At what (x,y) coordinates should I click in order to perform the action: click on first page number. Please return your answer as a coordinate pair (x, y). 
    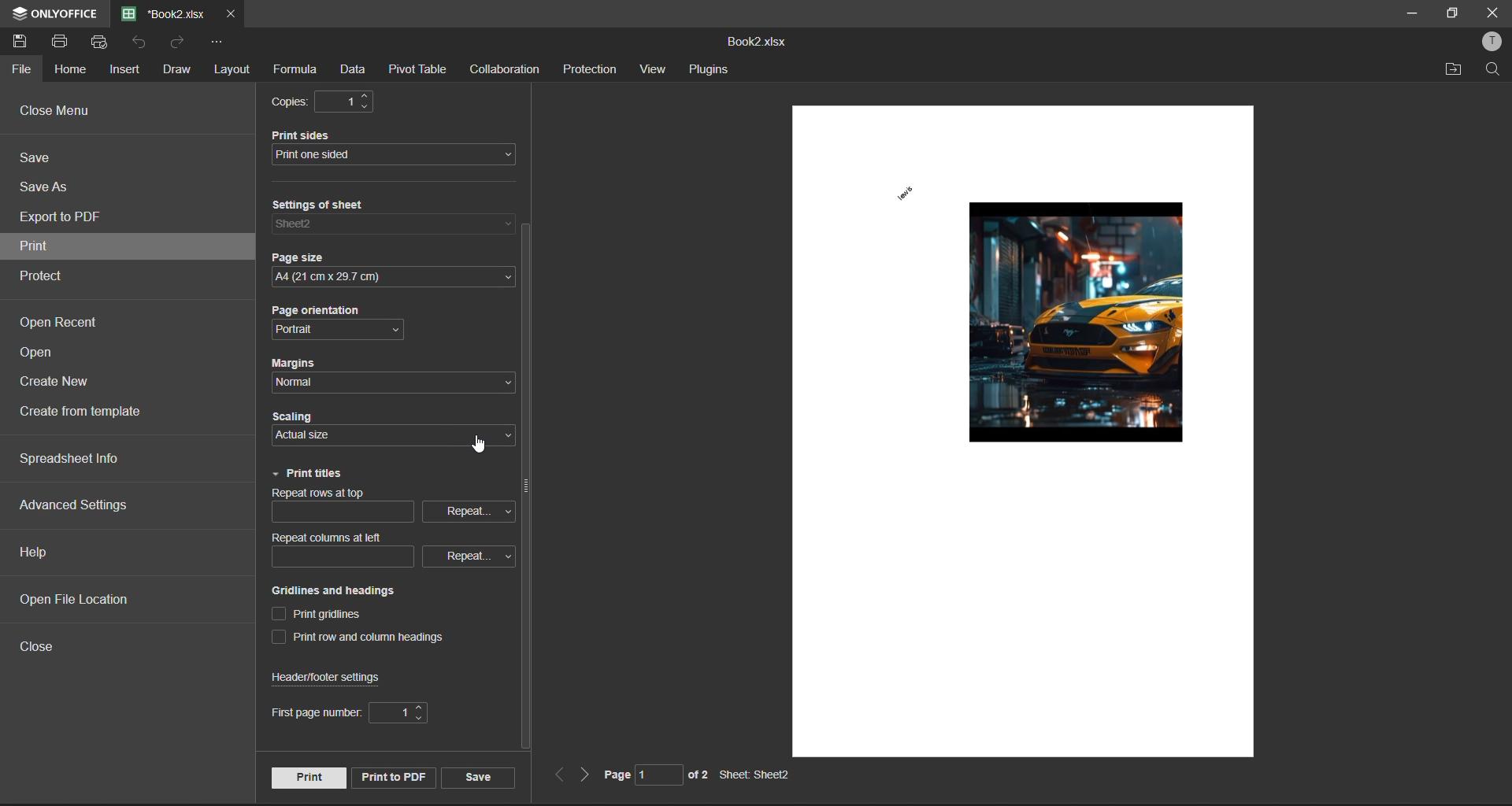
    Looking at the image, I should click on (310, 713).